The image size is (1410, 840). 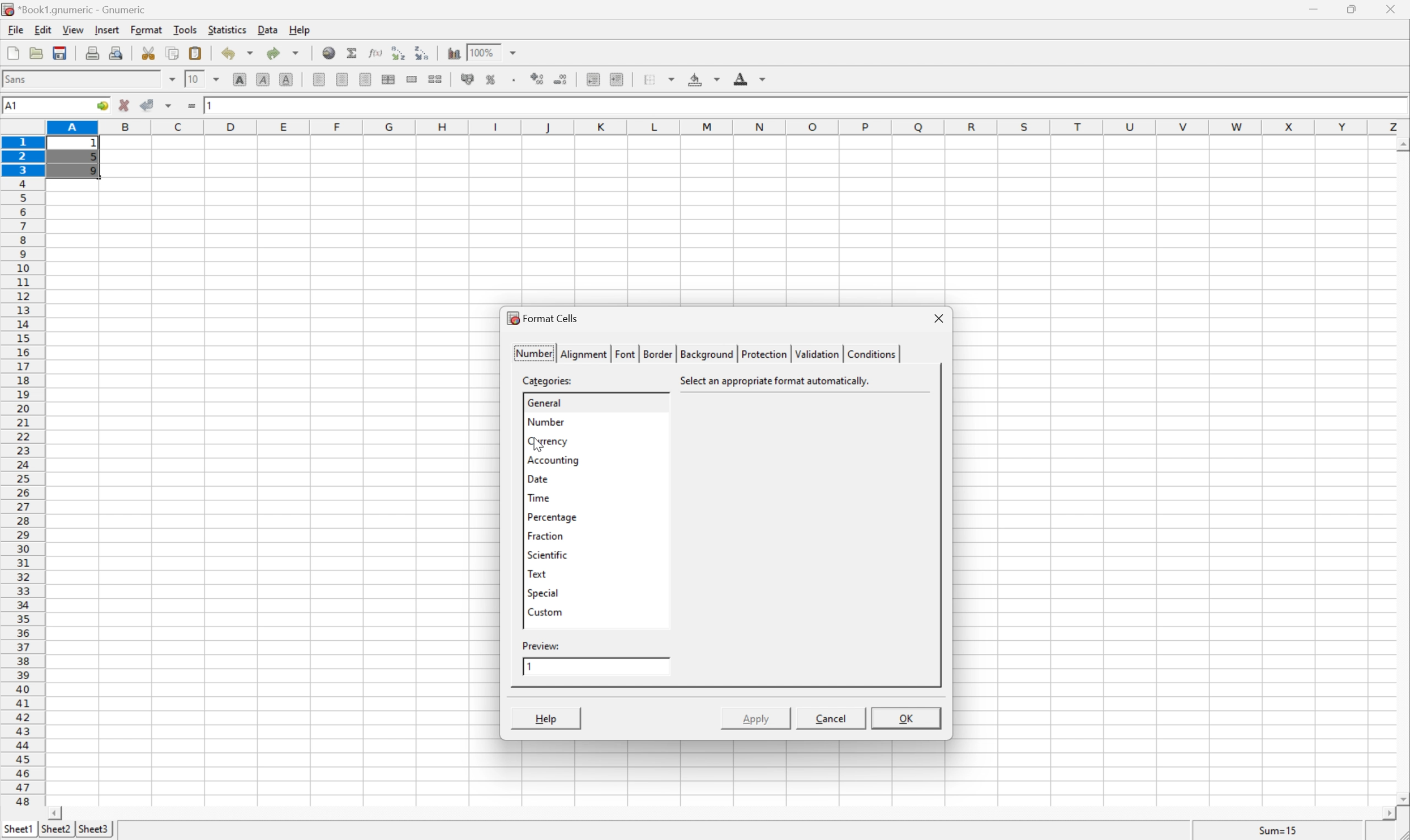 I want to click on column names, so click(x=730, y=128).